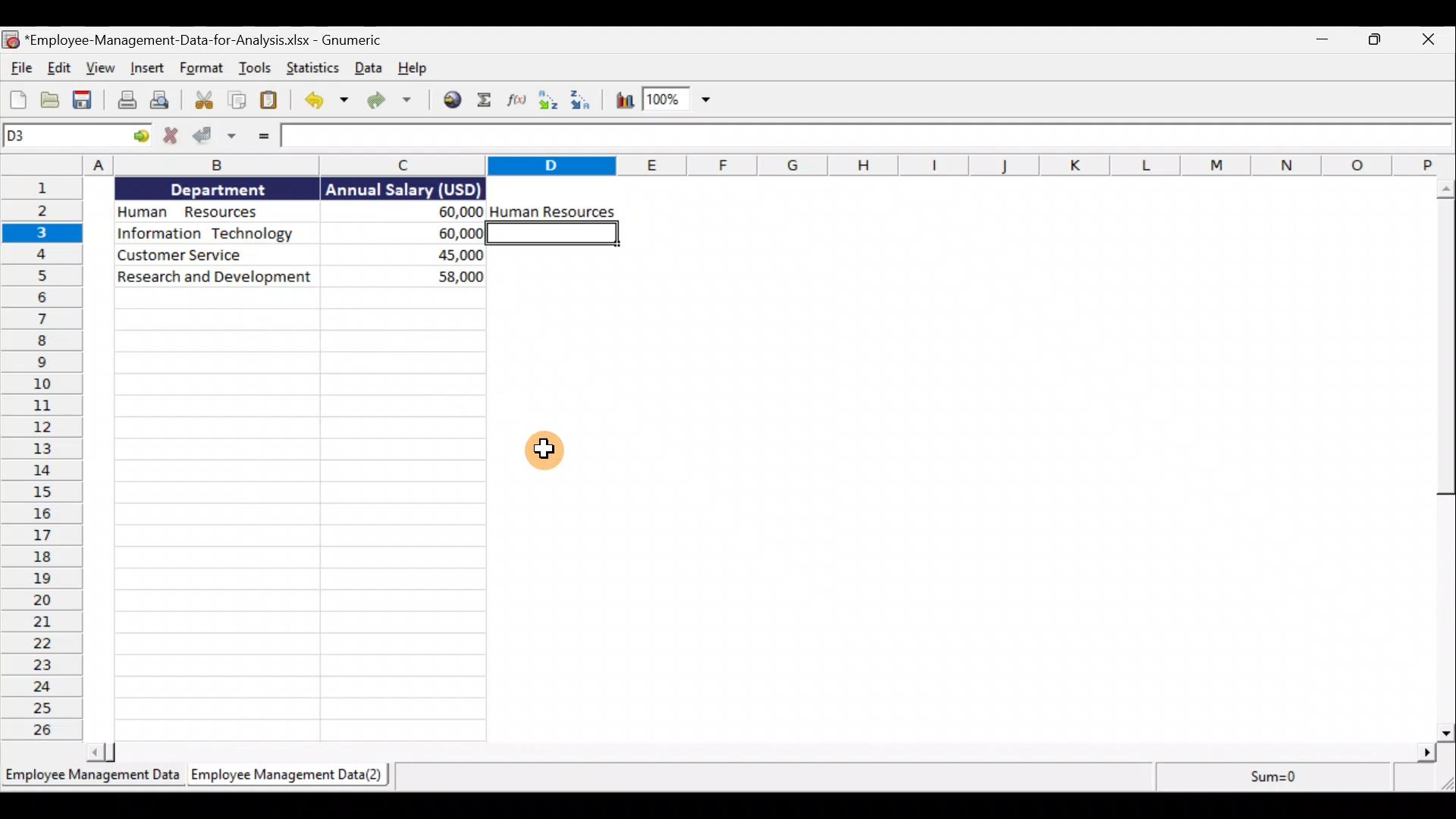 The height and width of the screenshot is (819, 1456). What do you see at coordinates (219, 37) in the screenshot?
I see `Document name` at bounding box center [219, 37].